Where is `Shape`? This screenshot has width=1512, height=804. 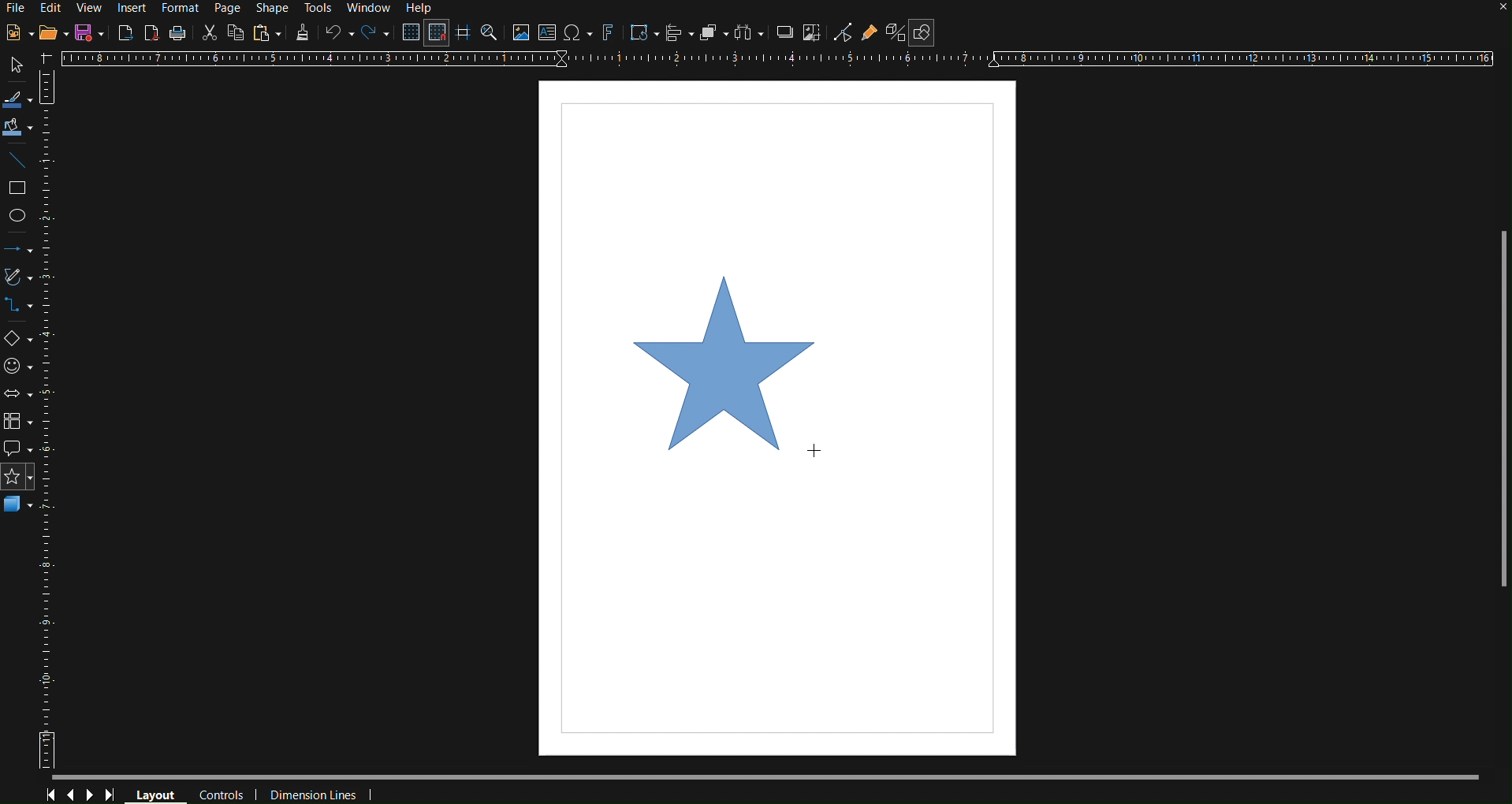
Shape is located at coordinates (267, 7).